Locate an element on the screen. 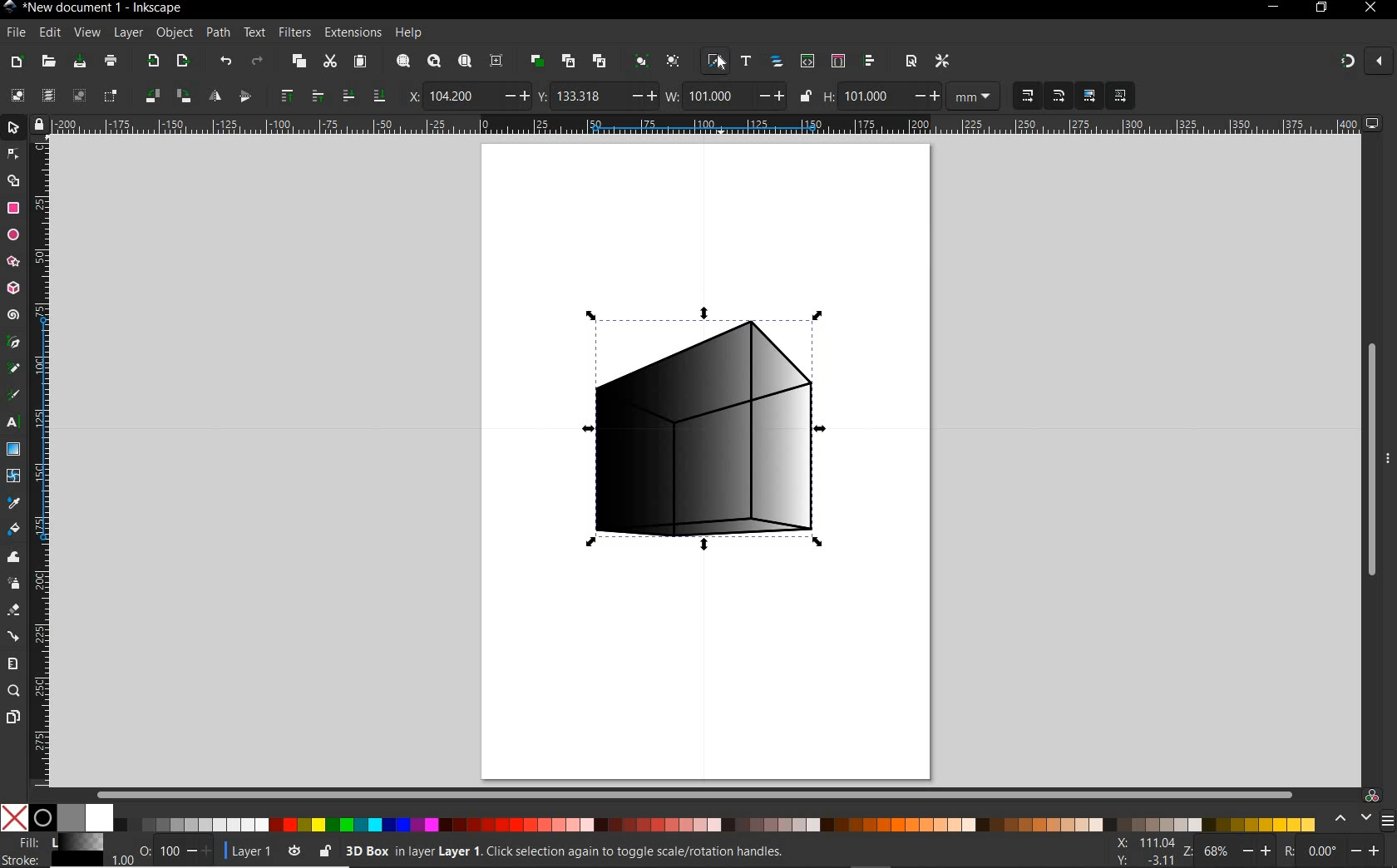 The width and height of the screenshot is (1397, 868). 1.00 is located at coordinates (121, 861).